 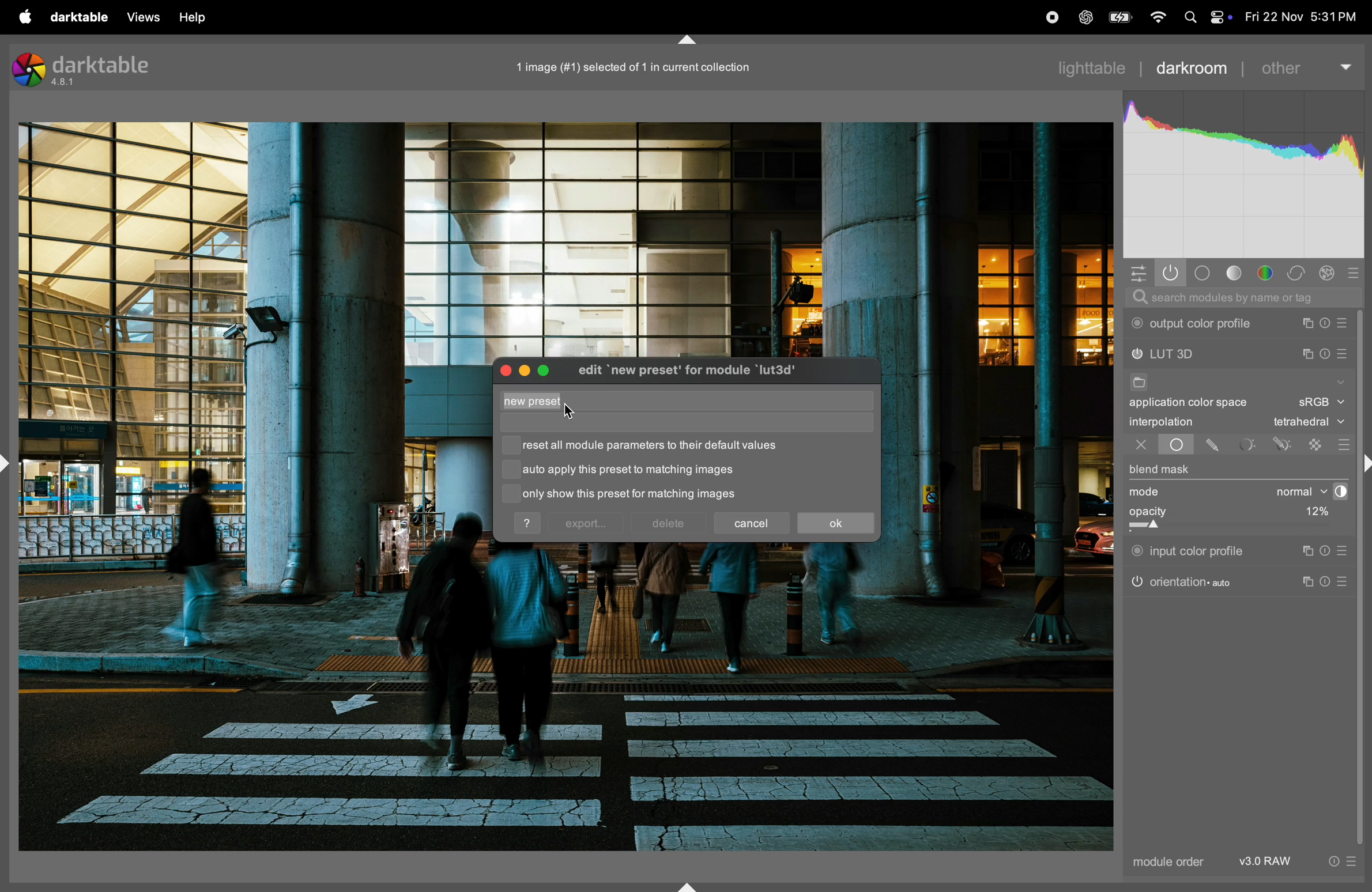 What do you see at coordinates (1306, 551) in the screenshot?
I see `instance` at bounding box center [1306, 551].